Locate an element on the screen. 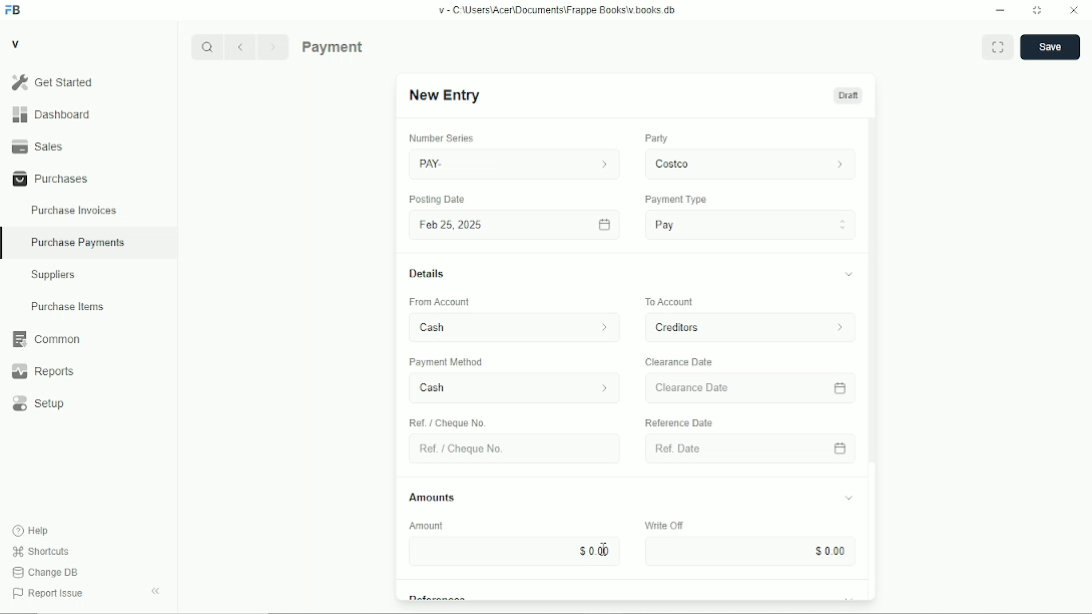 This screenshot has width=1092, height=614. Purchases is located at coordinates (88, 178).